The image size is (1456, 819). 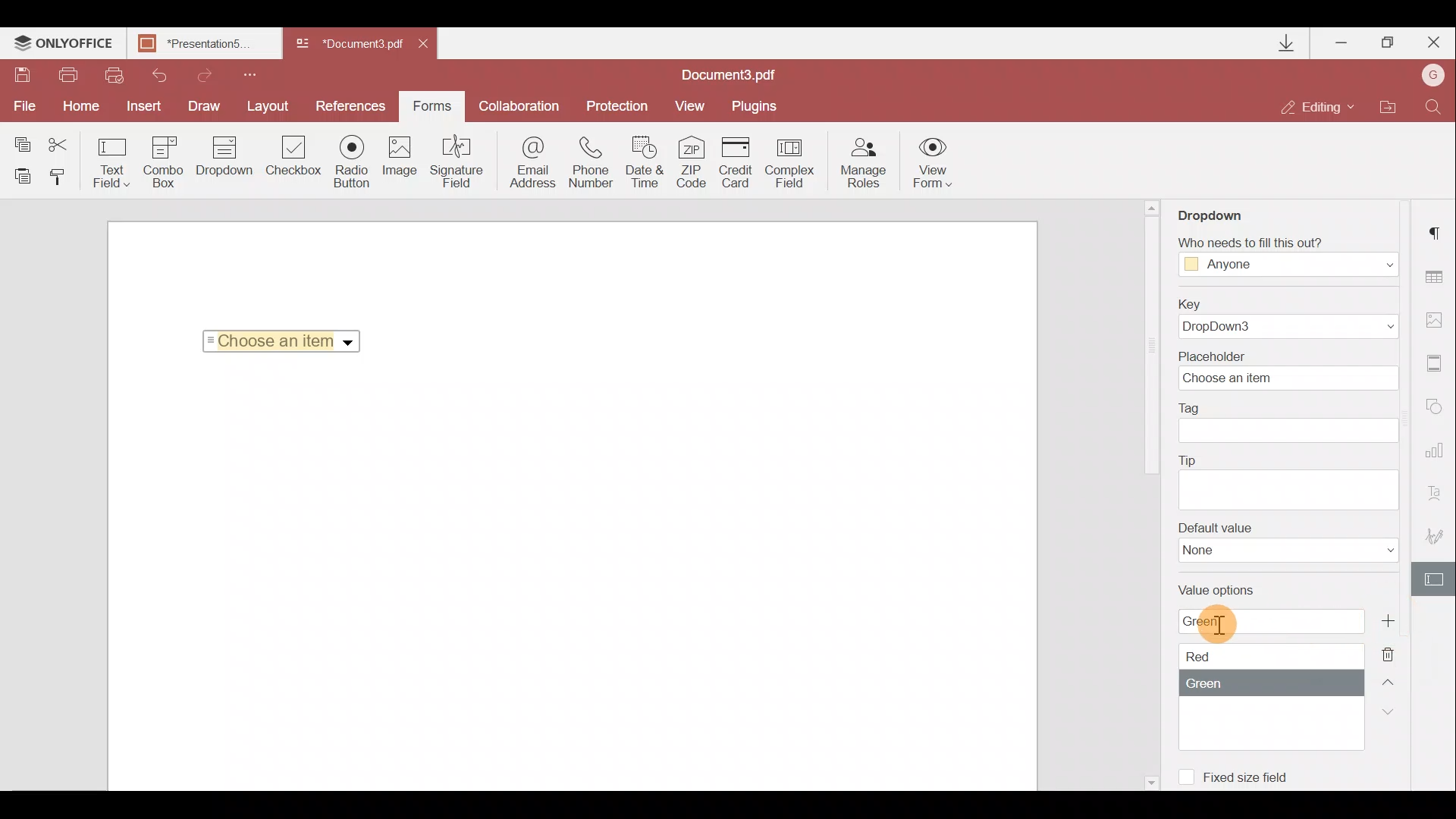 What do you see at coordinates (277, 340) in the screenshot?
I see `Selected Item` at bounding box center [277, 340].